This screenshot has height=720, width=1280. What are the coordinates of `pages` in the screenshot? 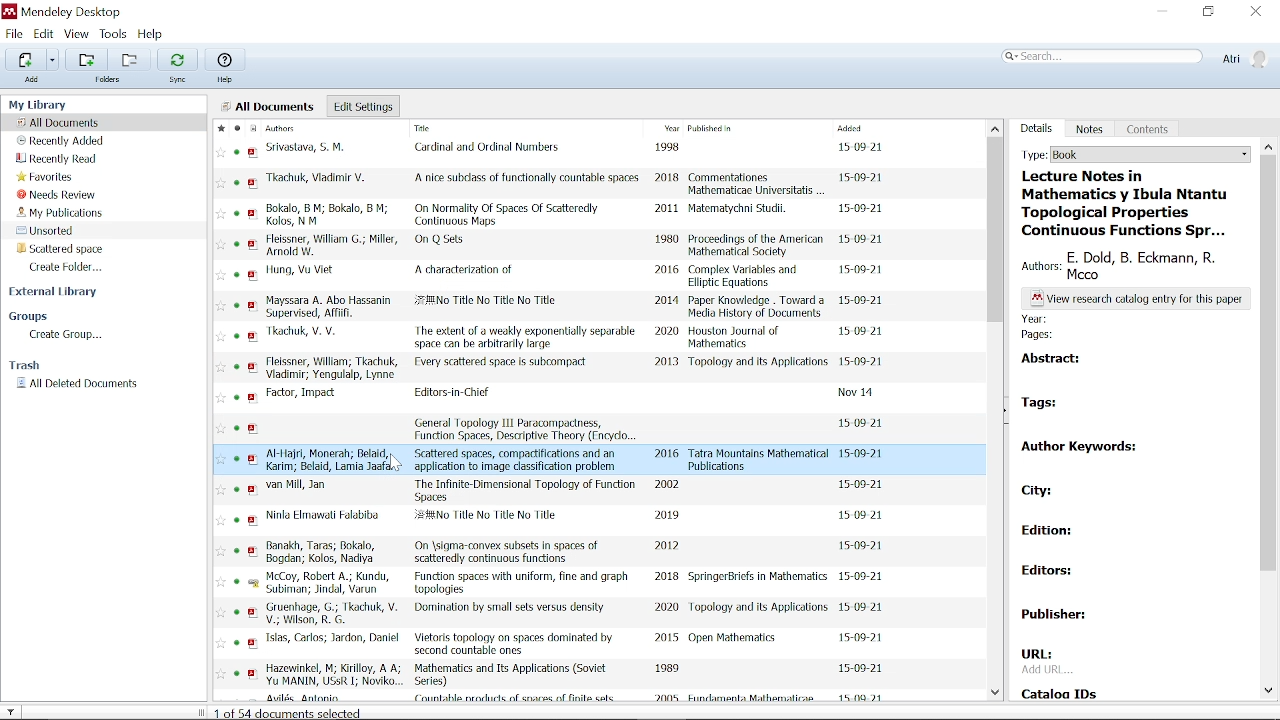 It's located at (1045, 335).